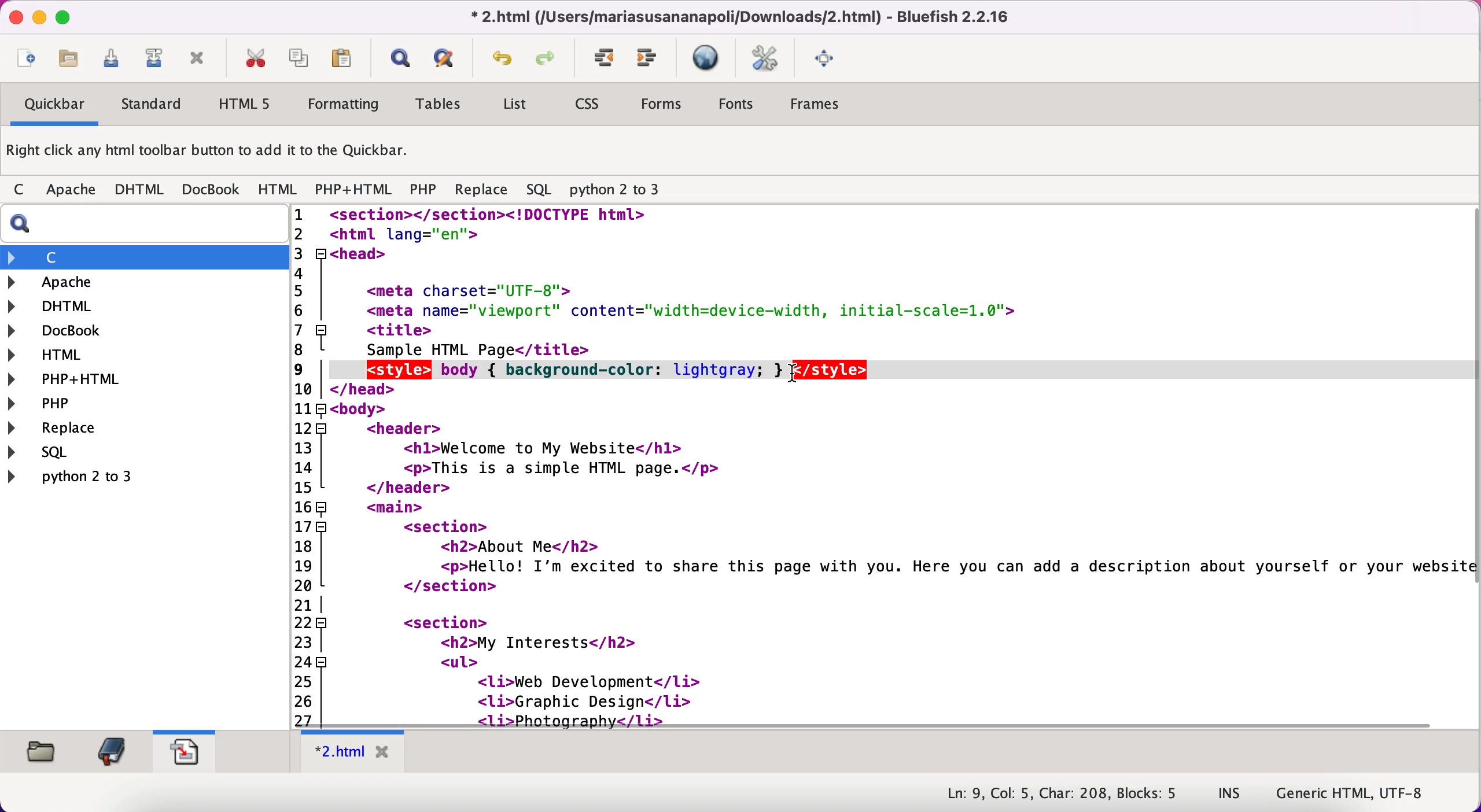  Describe the element at coordinates (344, 106) in the screenshot. I see `formatting` at that location.